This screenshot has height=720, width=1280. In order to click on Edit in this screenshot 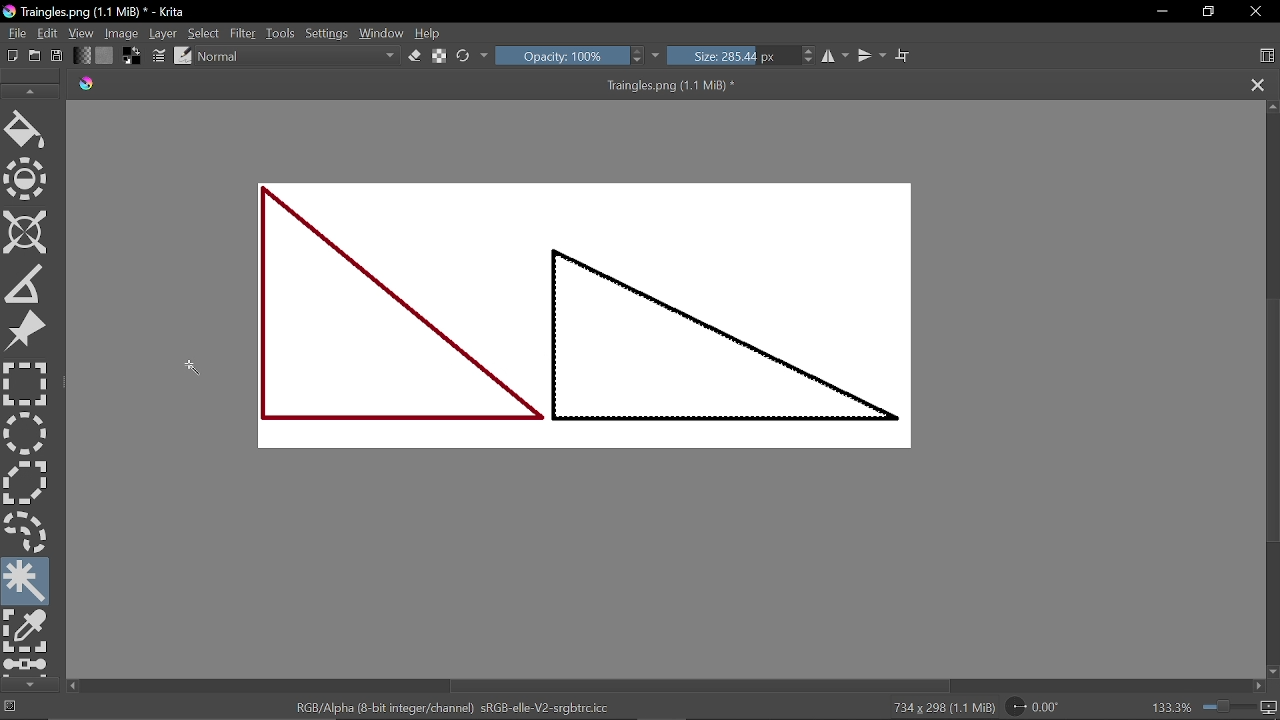, I will do `click(48, 34)`.